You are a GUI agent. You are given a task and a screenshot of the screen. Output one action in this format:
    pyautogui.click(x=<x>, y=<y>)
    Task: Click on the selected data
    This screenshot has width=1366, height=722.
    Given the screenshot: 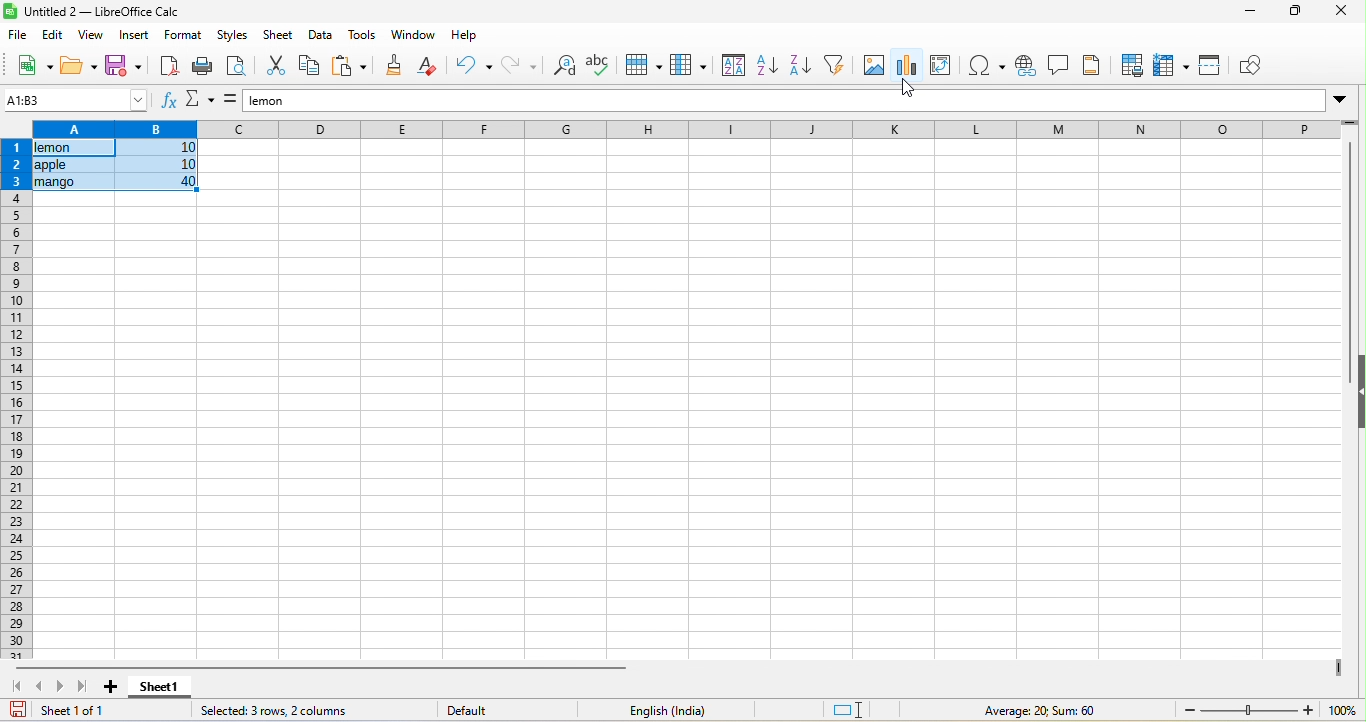 What is the action you would take?
    pyautogui.click(x=116, y=166)
    